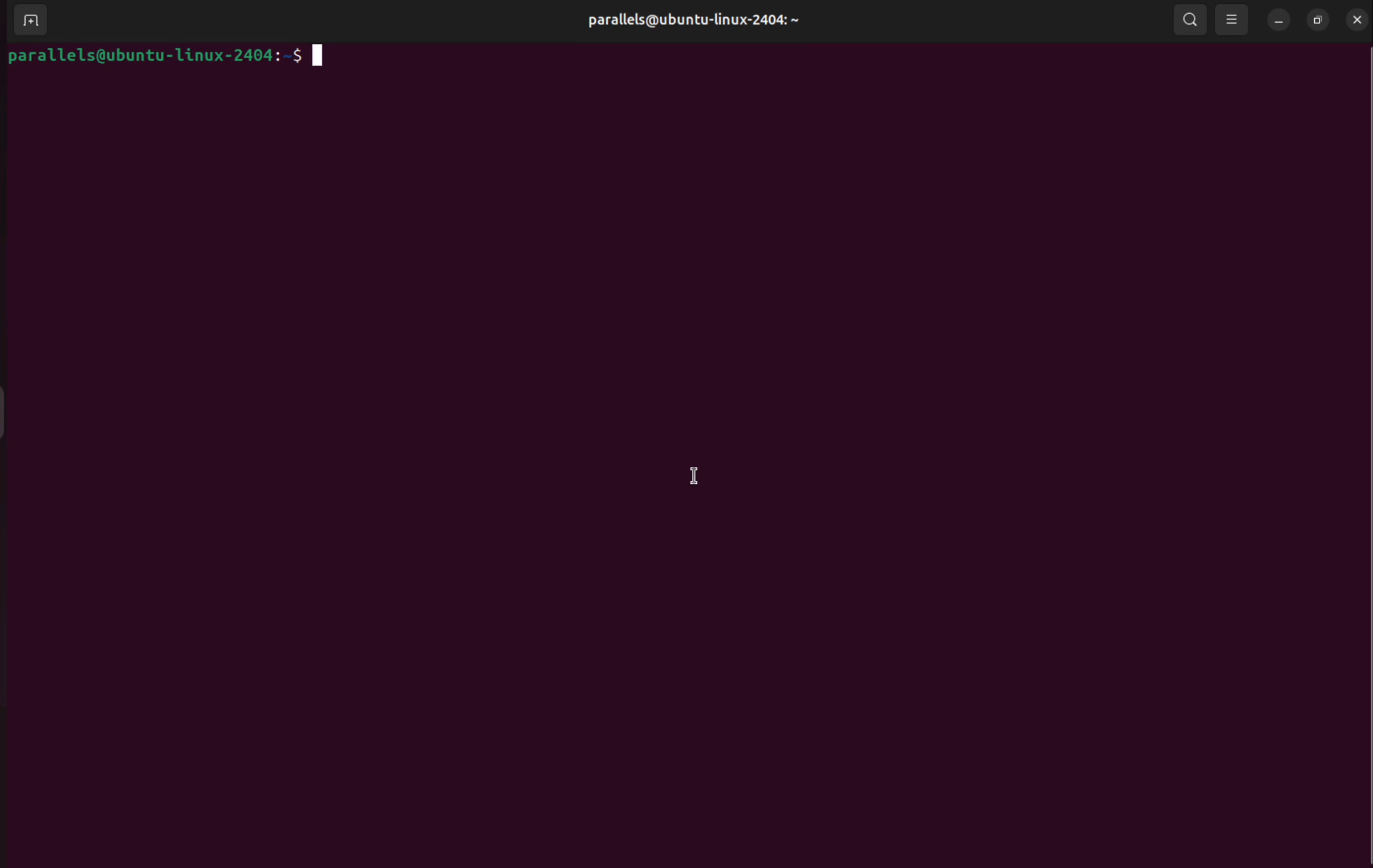 This screenshot has height=868, width=1373. Describe the element at coordinates (699, 477) in the screenshot. I see `cursor` at that location.